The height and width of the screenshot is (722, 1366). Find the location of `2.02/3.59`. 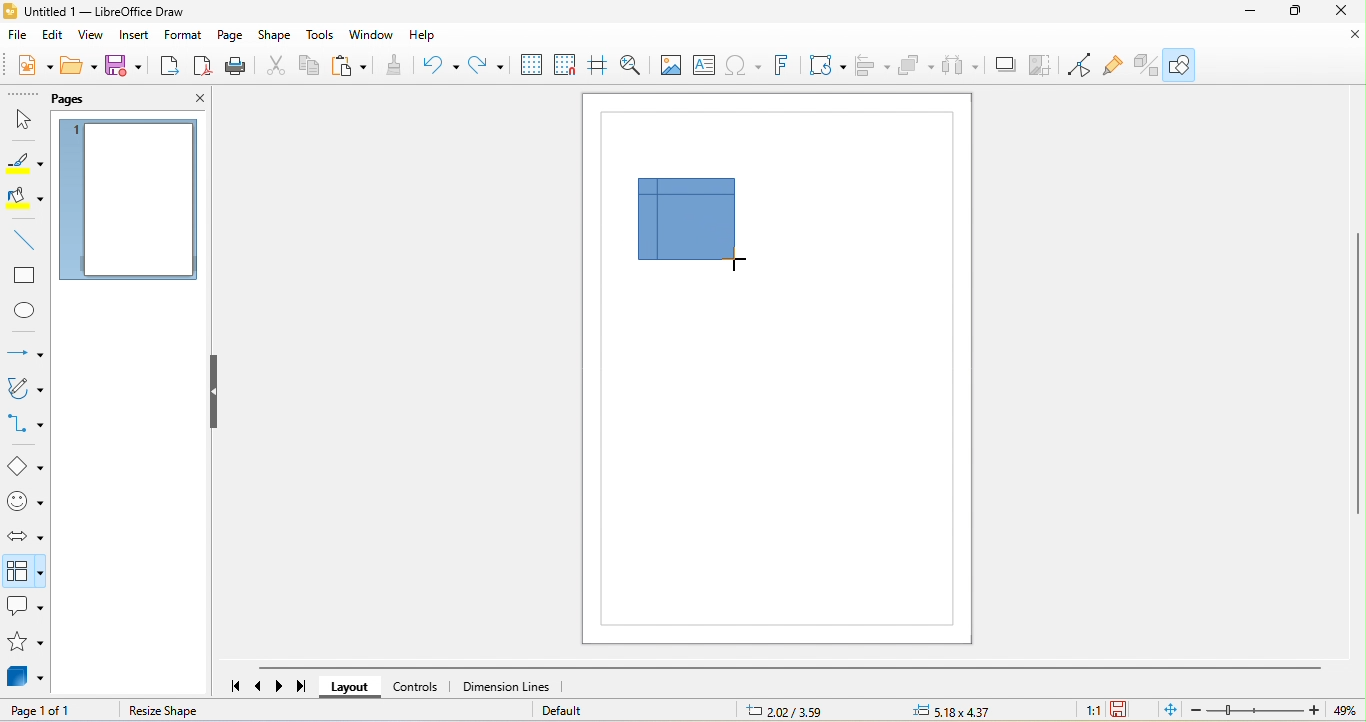

2.02/3.59 is located at coordinates (786, 710).